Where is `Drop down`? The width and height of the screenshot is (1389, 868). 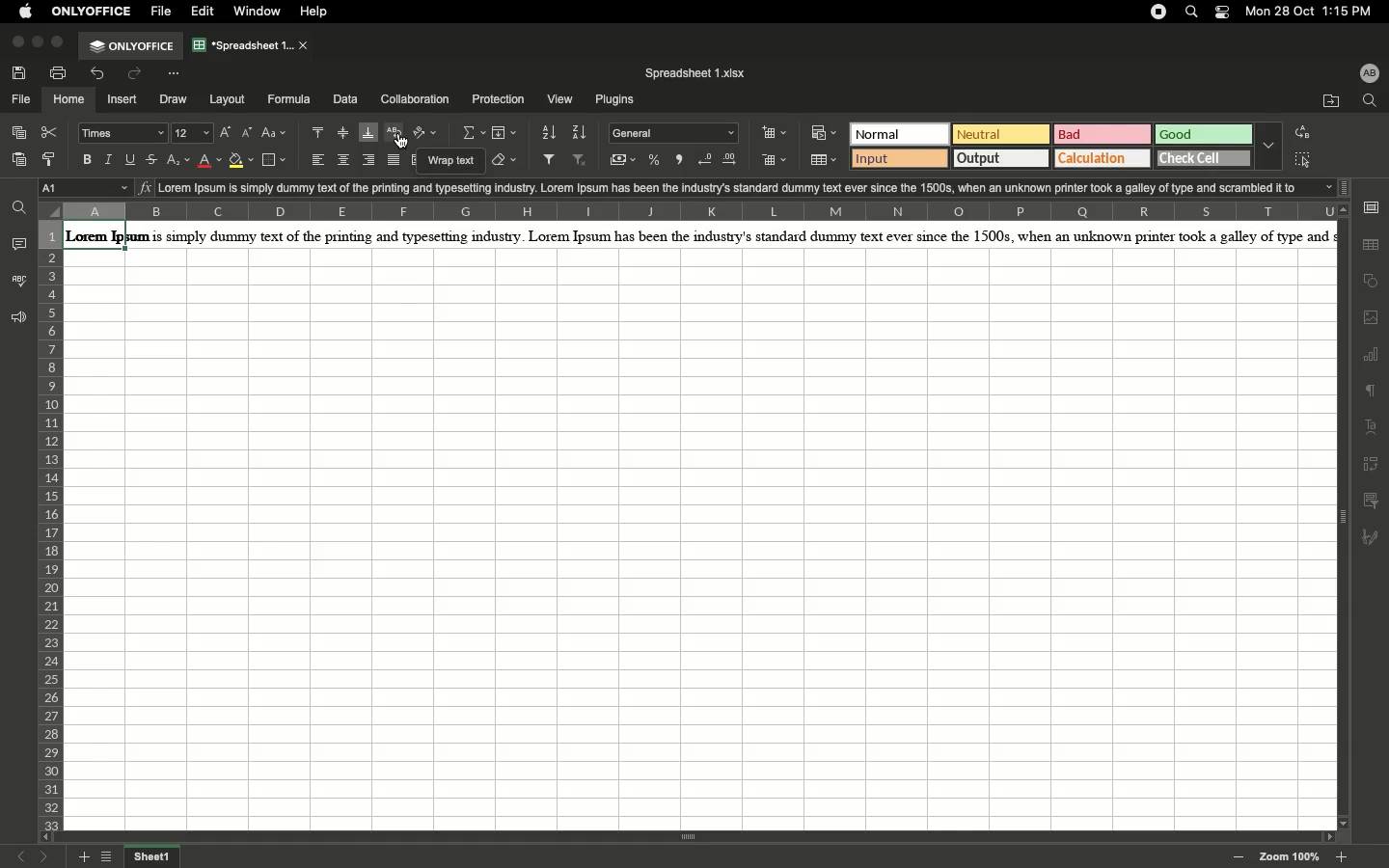 Drop down is located at coordinates (1269, 145).